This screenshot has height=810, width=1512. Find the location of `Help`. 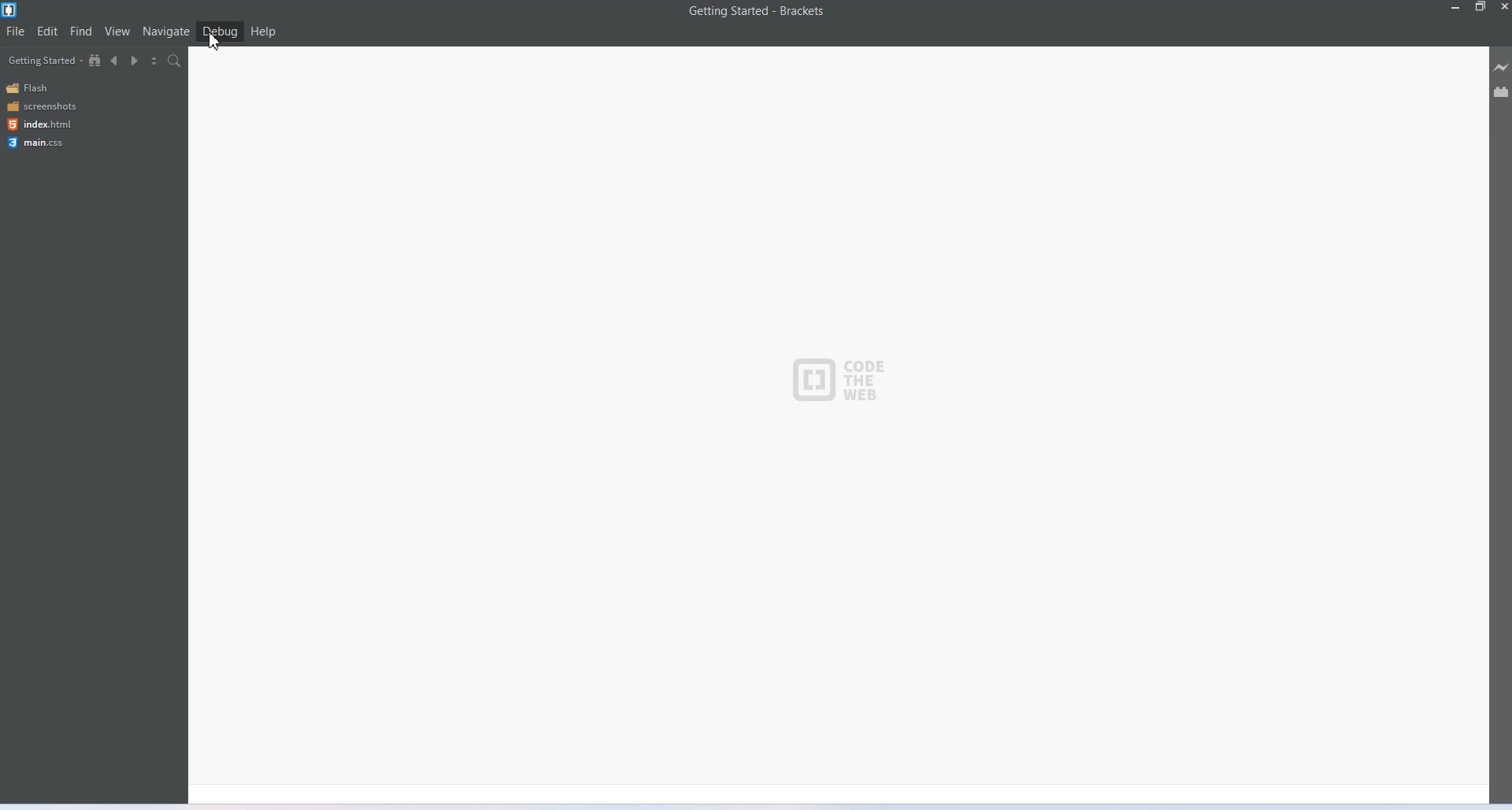

Help is located at coordinates (263, 31).